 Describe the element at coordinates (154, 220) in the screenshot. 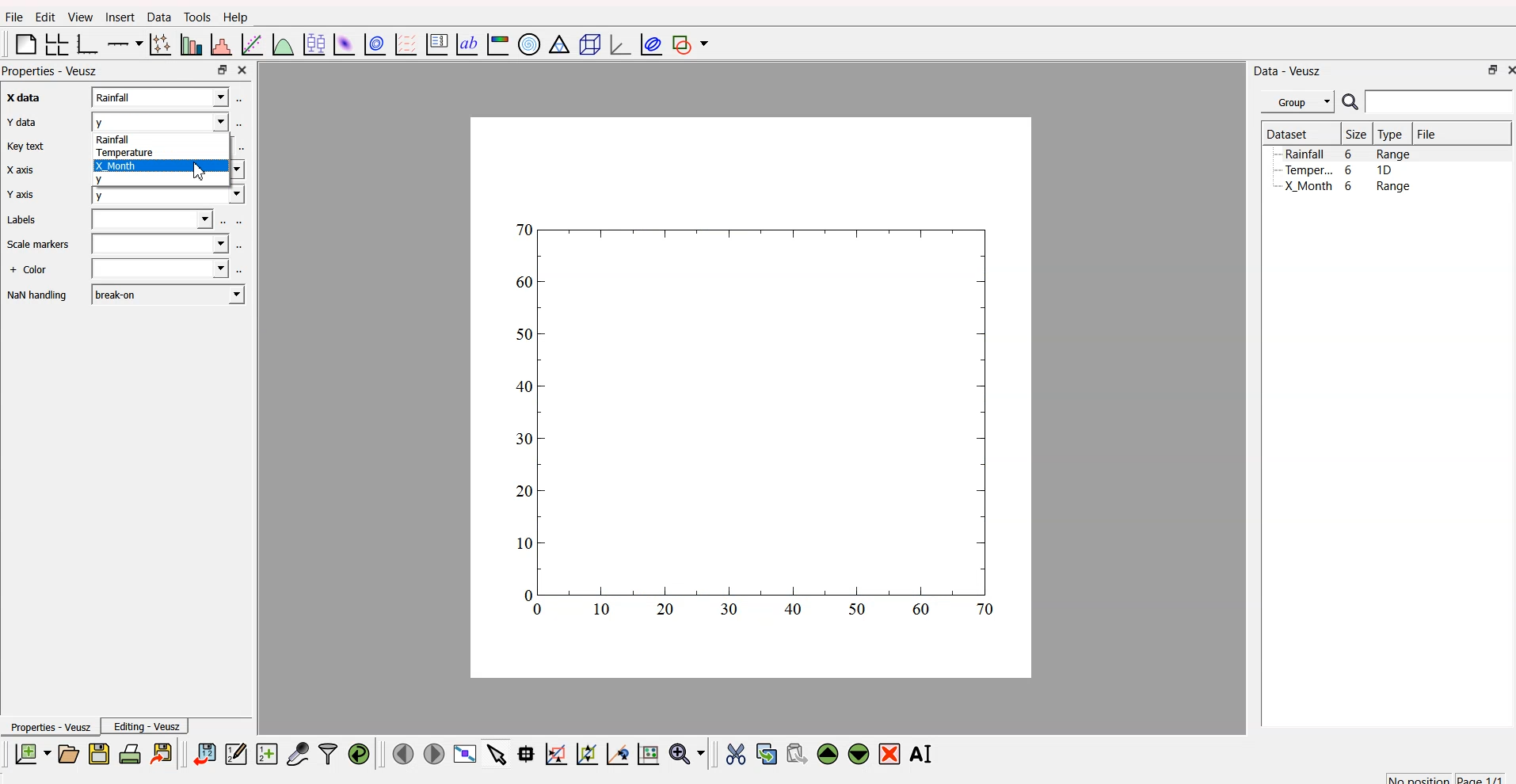

I see `field` at that location.